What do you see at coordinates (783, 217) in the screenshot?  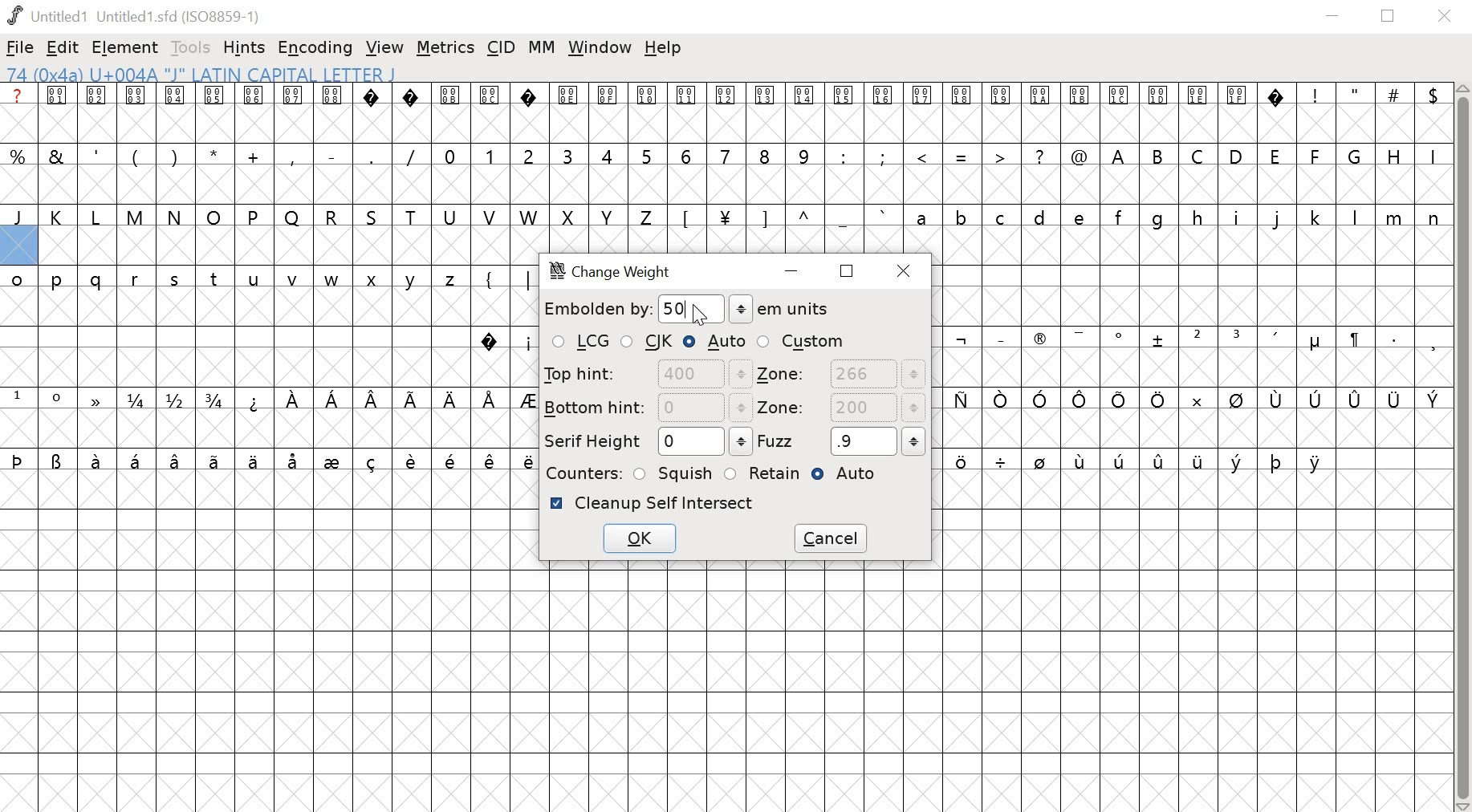 I see `symbols` at bounding box center [783, 217].